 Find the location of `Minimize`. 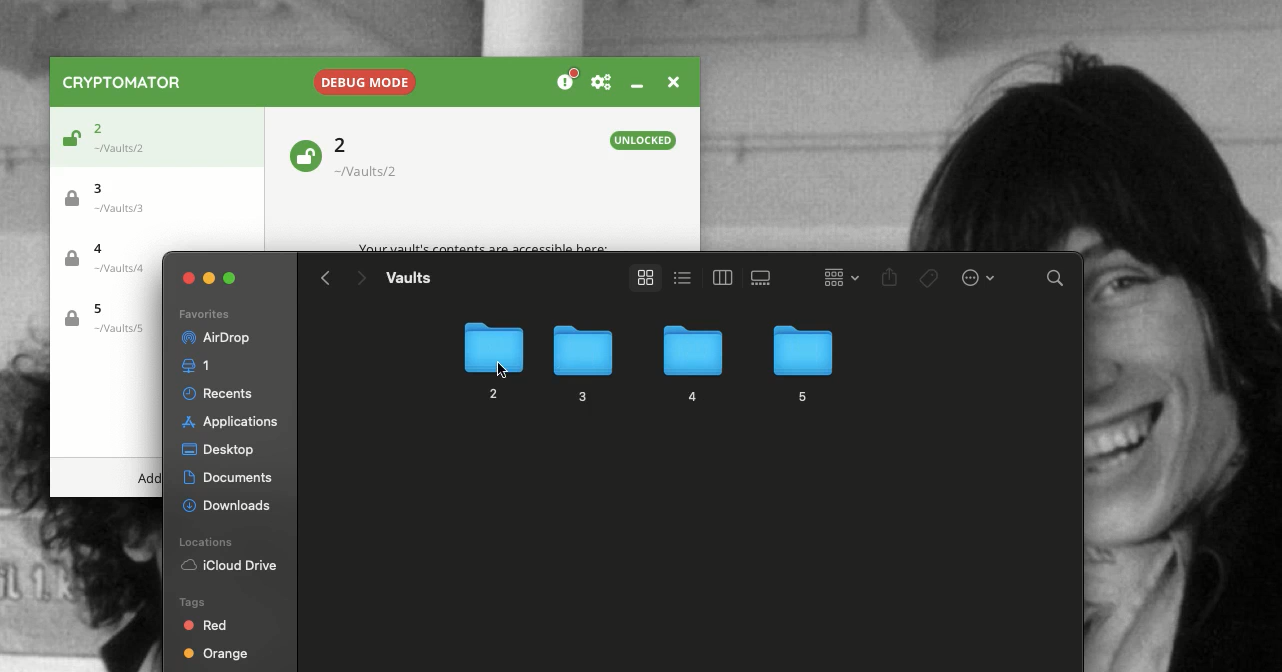

Minimize is located at coordinates (210, 276).